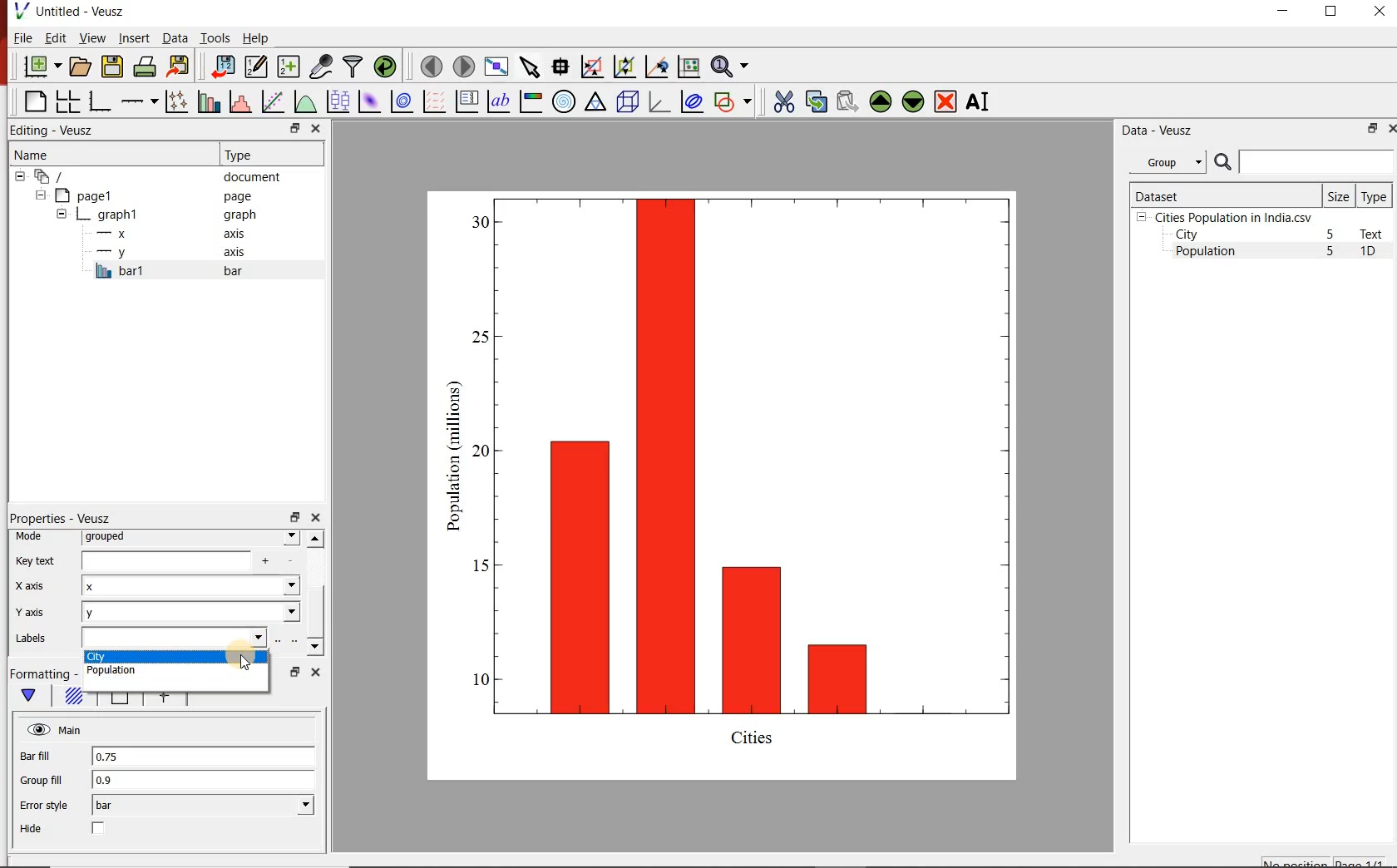 Image resolution: width=1397 pixels, height=868 pixels. I want to click on close, so click(313, 672).